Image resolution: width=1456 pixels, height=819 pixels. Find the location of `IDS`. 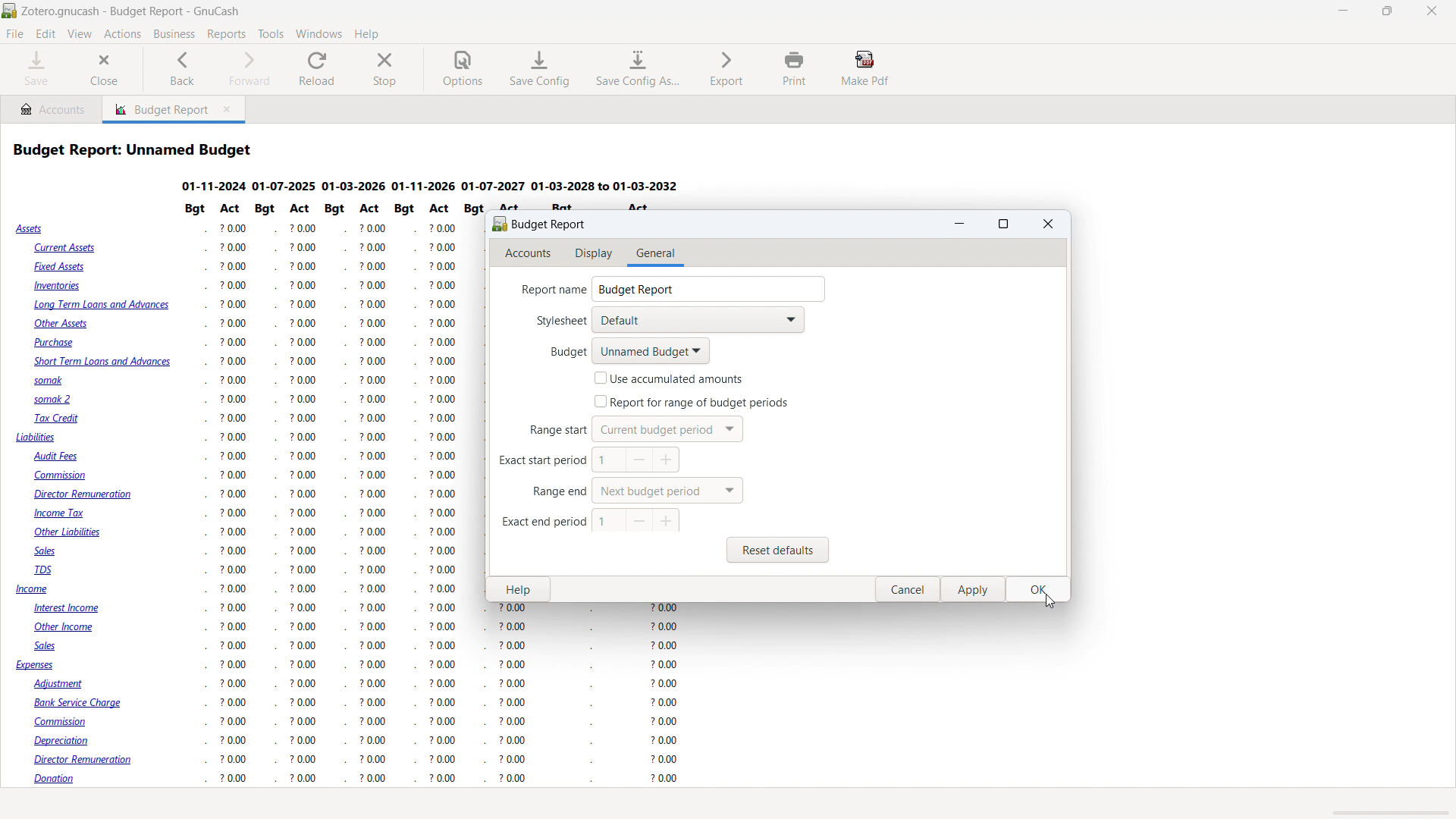

IDS is located at coordinates (46, 571).